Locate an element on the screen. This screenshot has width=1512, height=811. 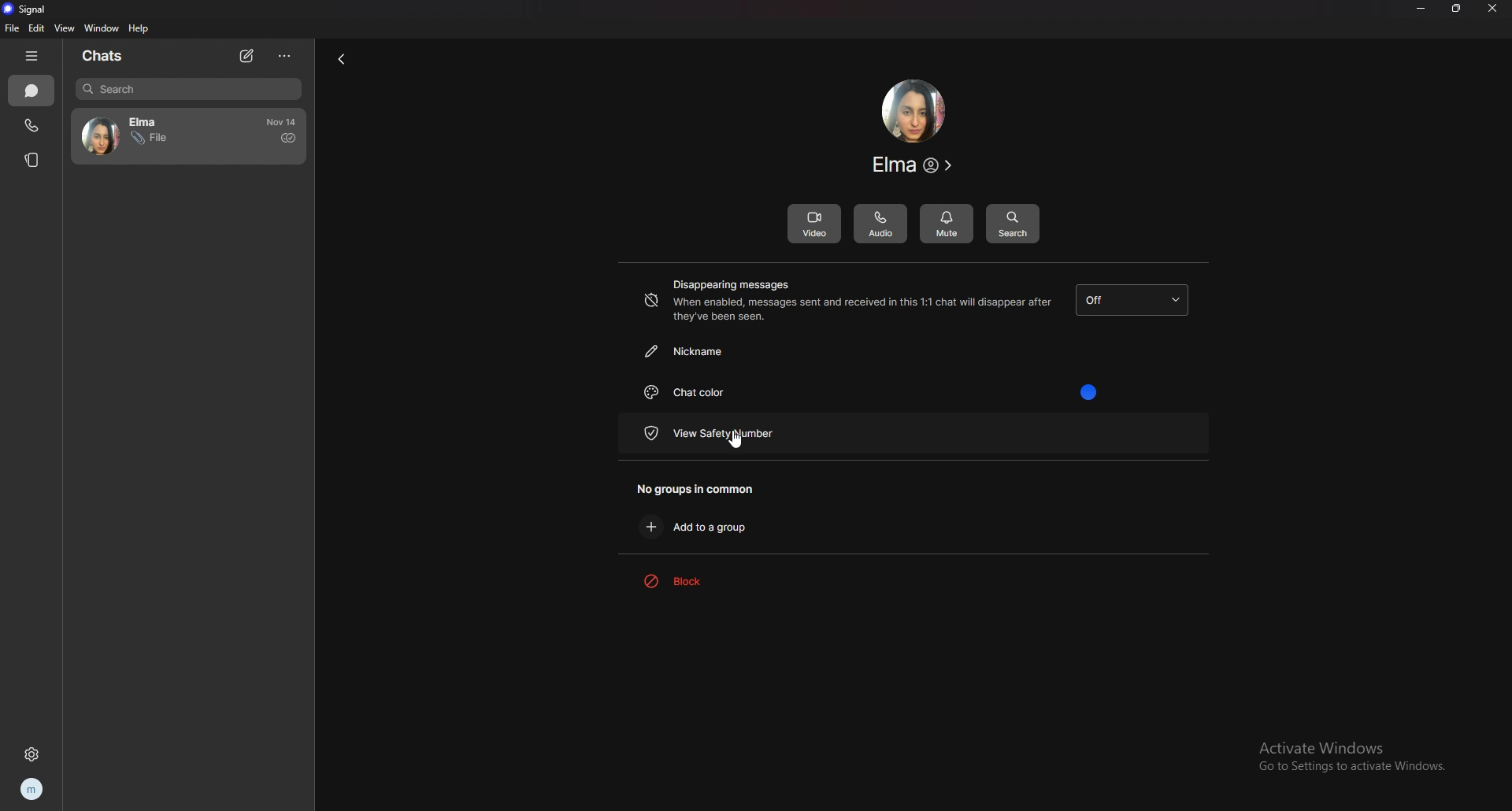
video call is located at coordinates (813, 223).